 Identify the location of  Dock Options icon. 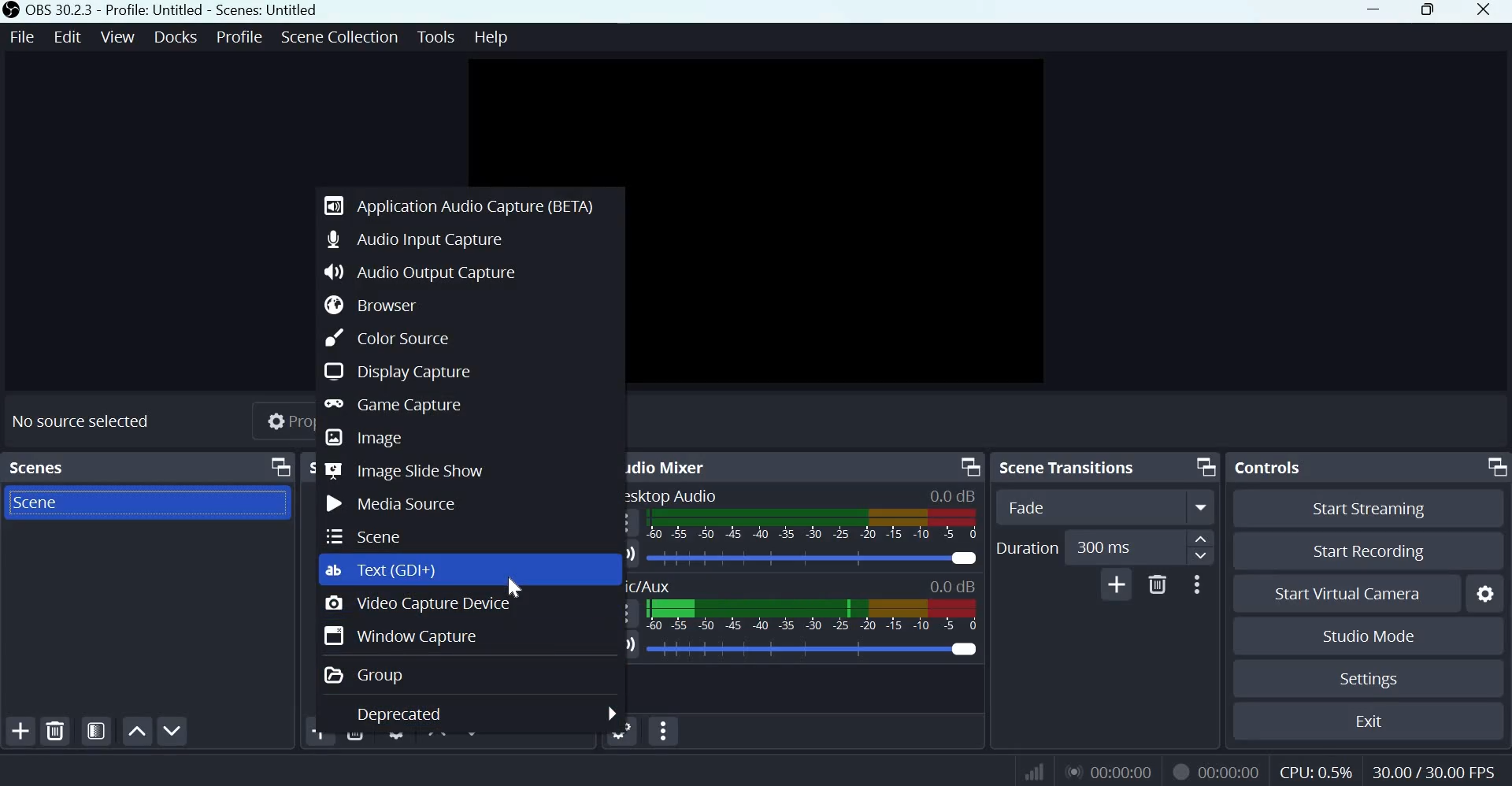
(968, 465).